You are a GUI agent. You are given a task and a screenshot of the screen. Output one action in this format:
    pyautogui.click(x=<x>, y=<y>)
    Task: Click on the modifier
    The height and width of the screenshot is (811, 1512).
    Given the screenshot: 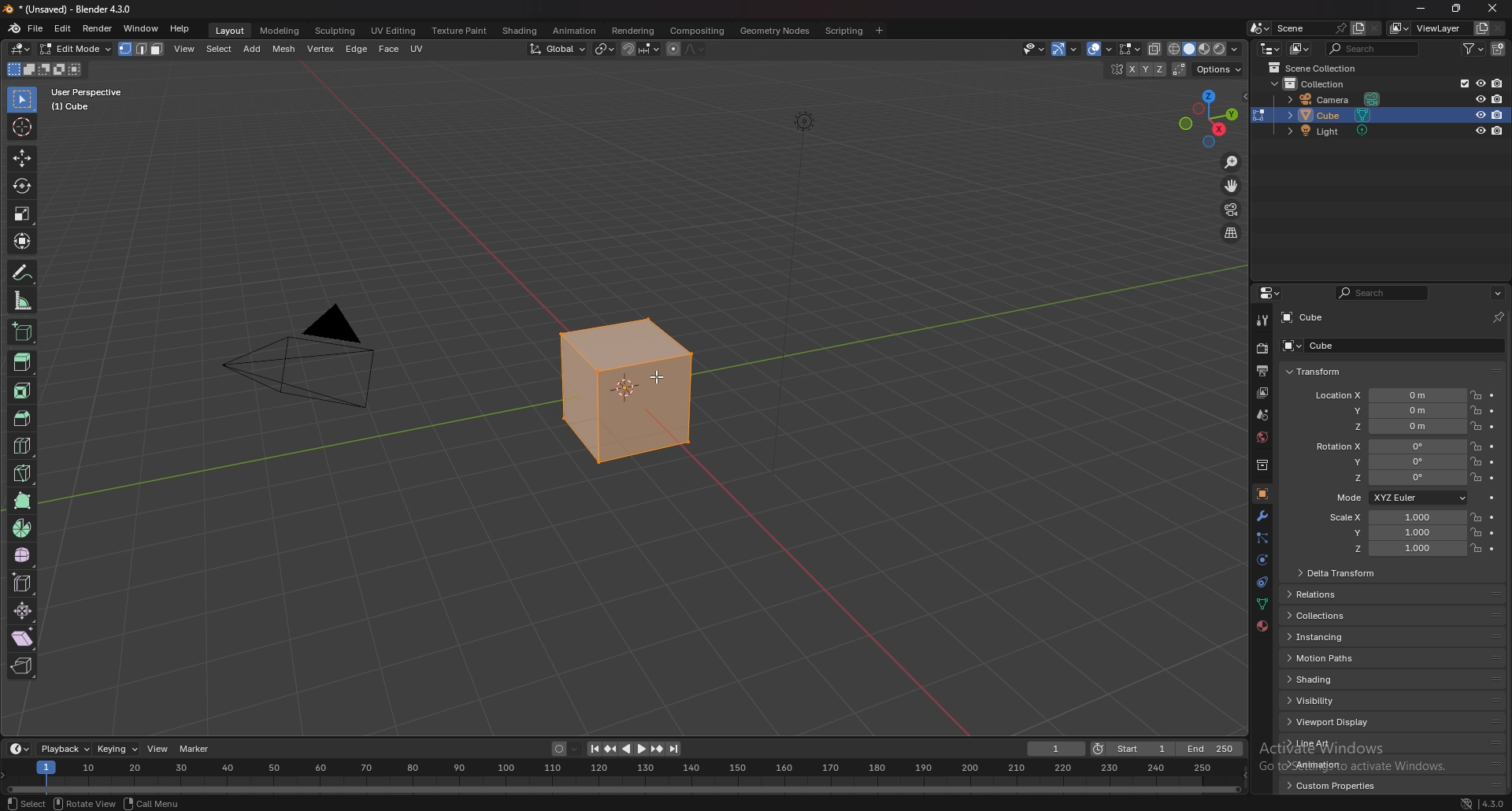 What is the action you would take?
    pyautogui.click(x=1262, y=516)
    